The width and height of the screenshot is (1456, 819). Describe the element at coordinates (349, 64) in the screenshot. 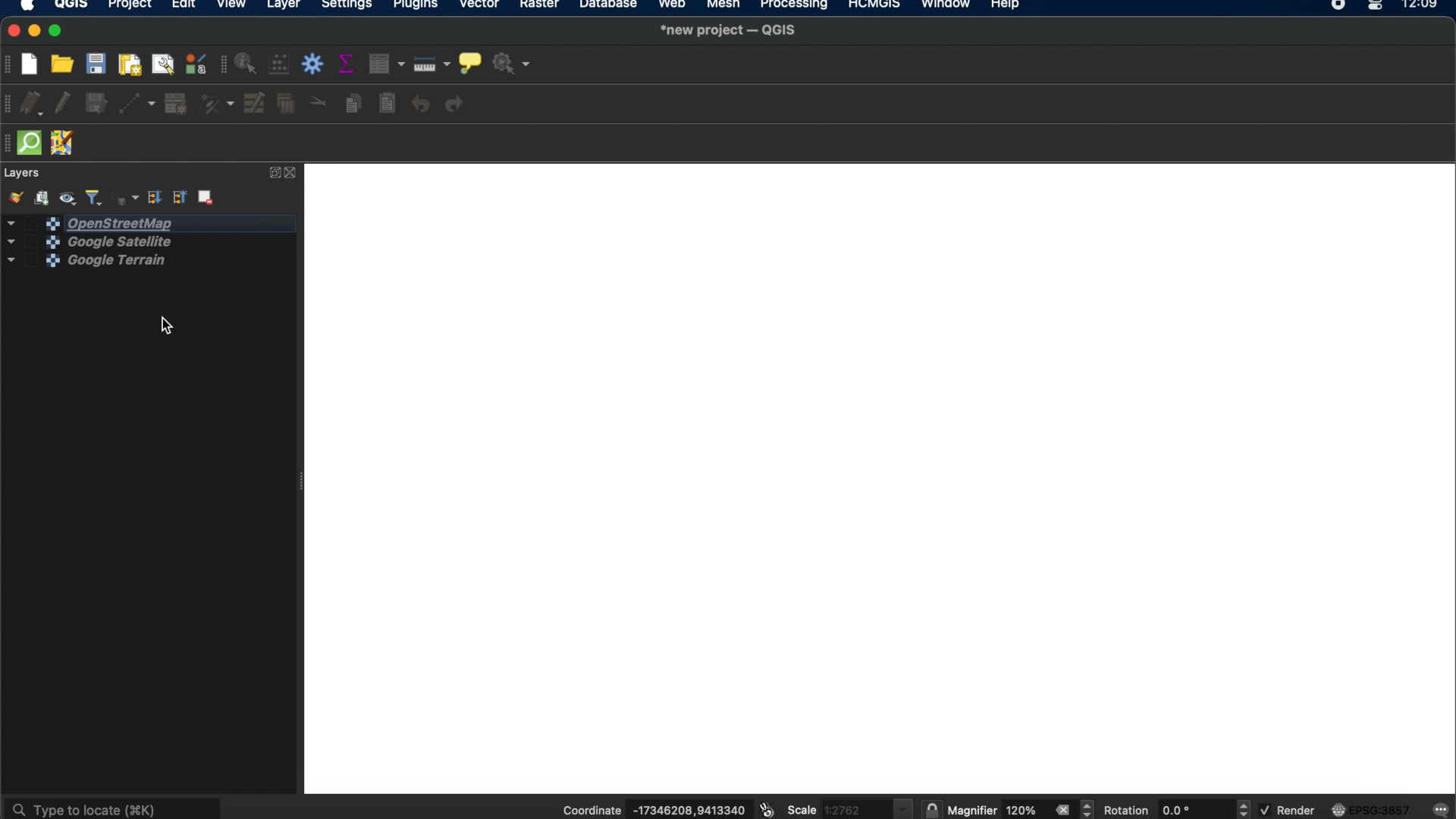

I see `show summary statistics` at that location.